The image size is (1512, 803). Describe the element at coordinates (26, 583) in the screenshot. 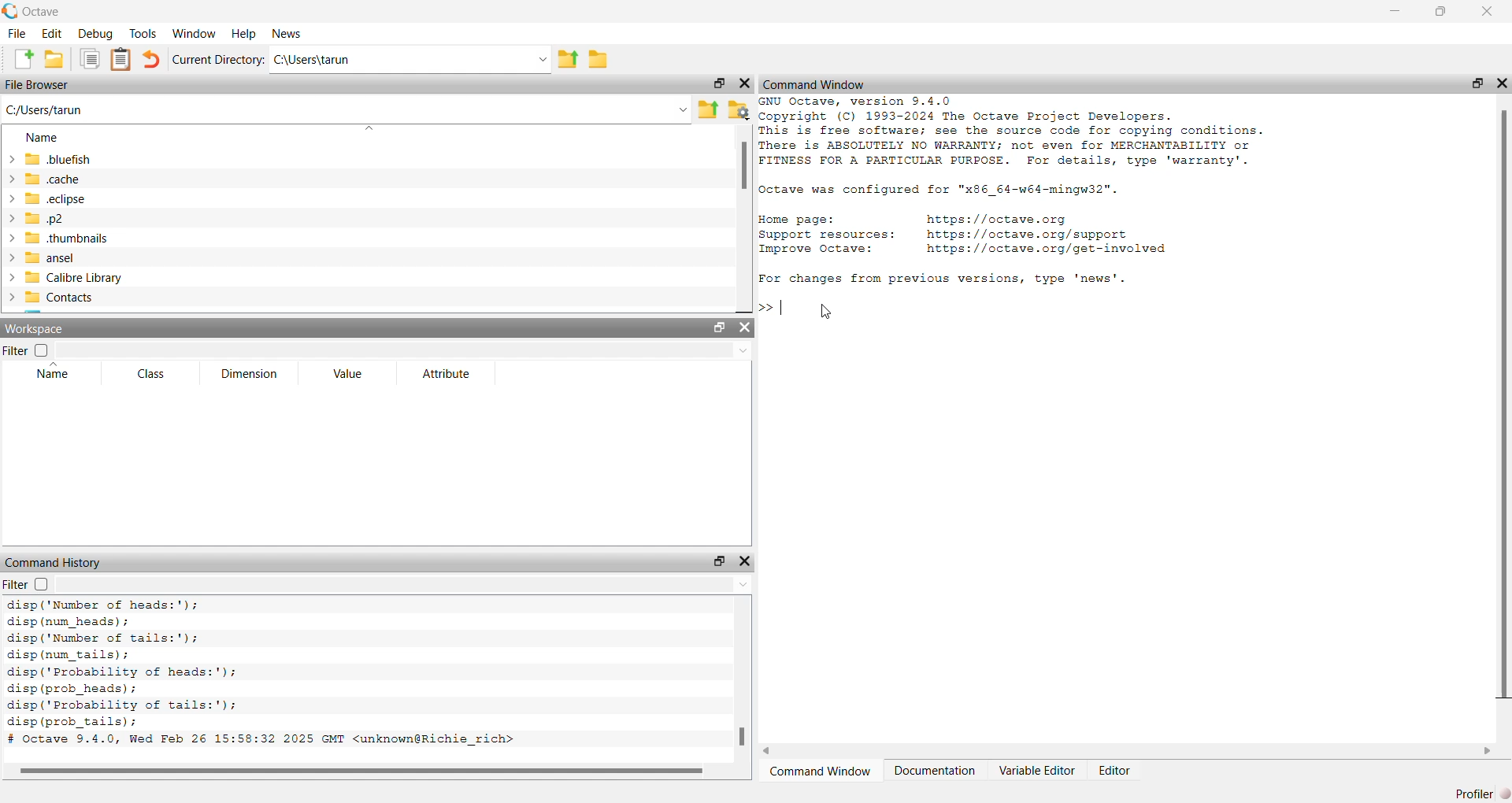

I see `Filter` at that location.